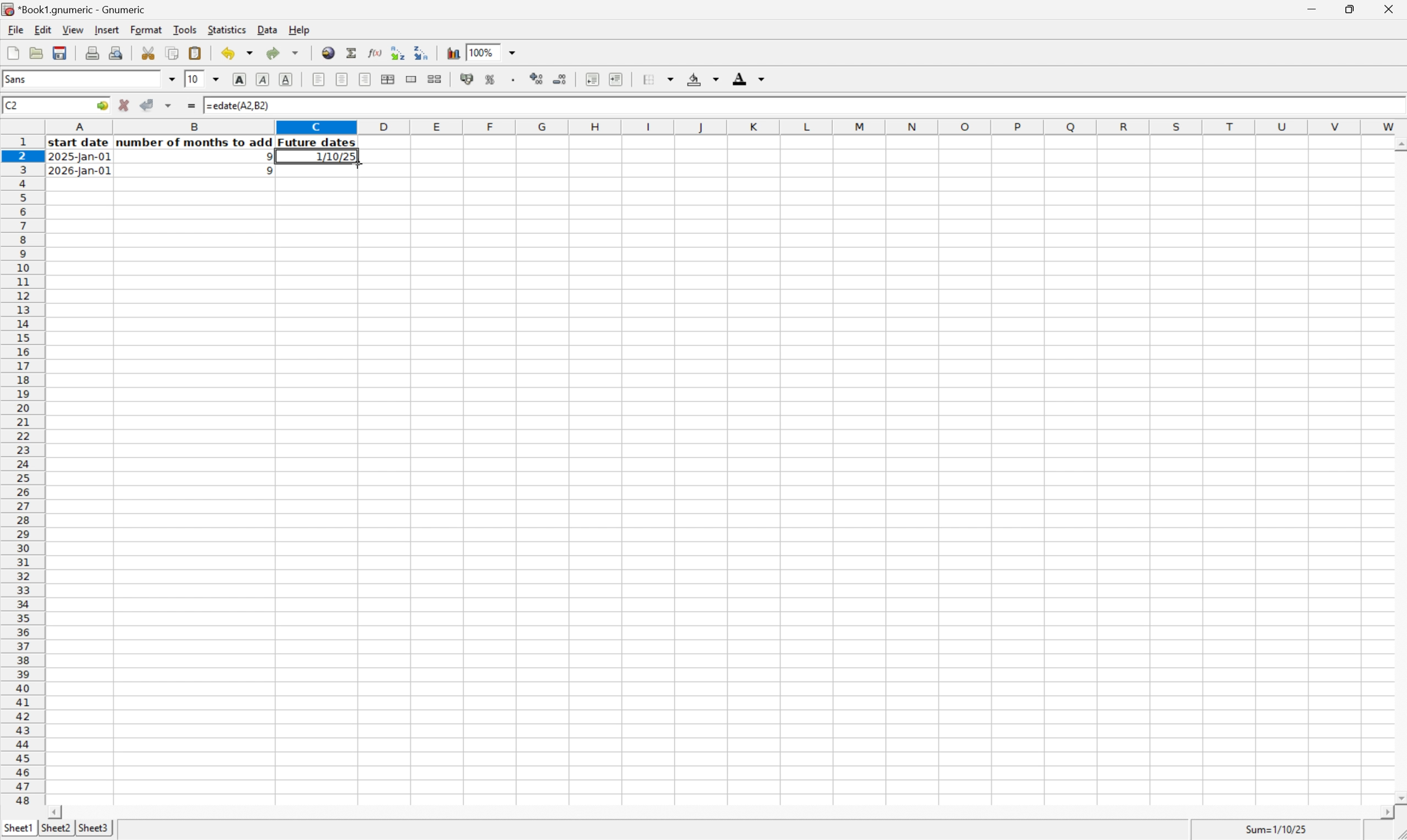  I want to click on Edit, so click(43, 29).